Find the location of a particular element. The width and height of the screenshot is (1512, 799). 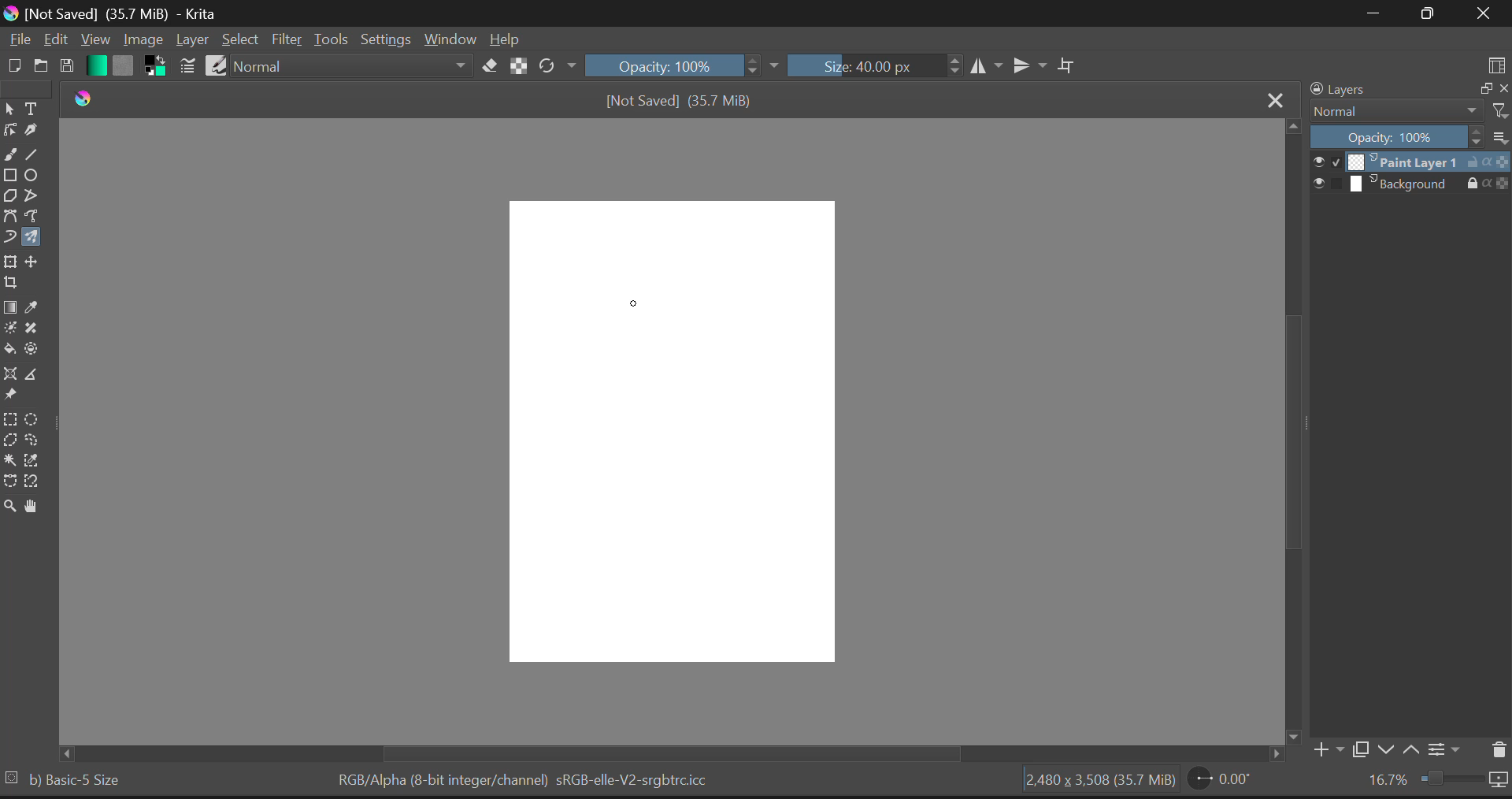

0.00 is located at coordinates (1222, 782).